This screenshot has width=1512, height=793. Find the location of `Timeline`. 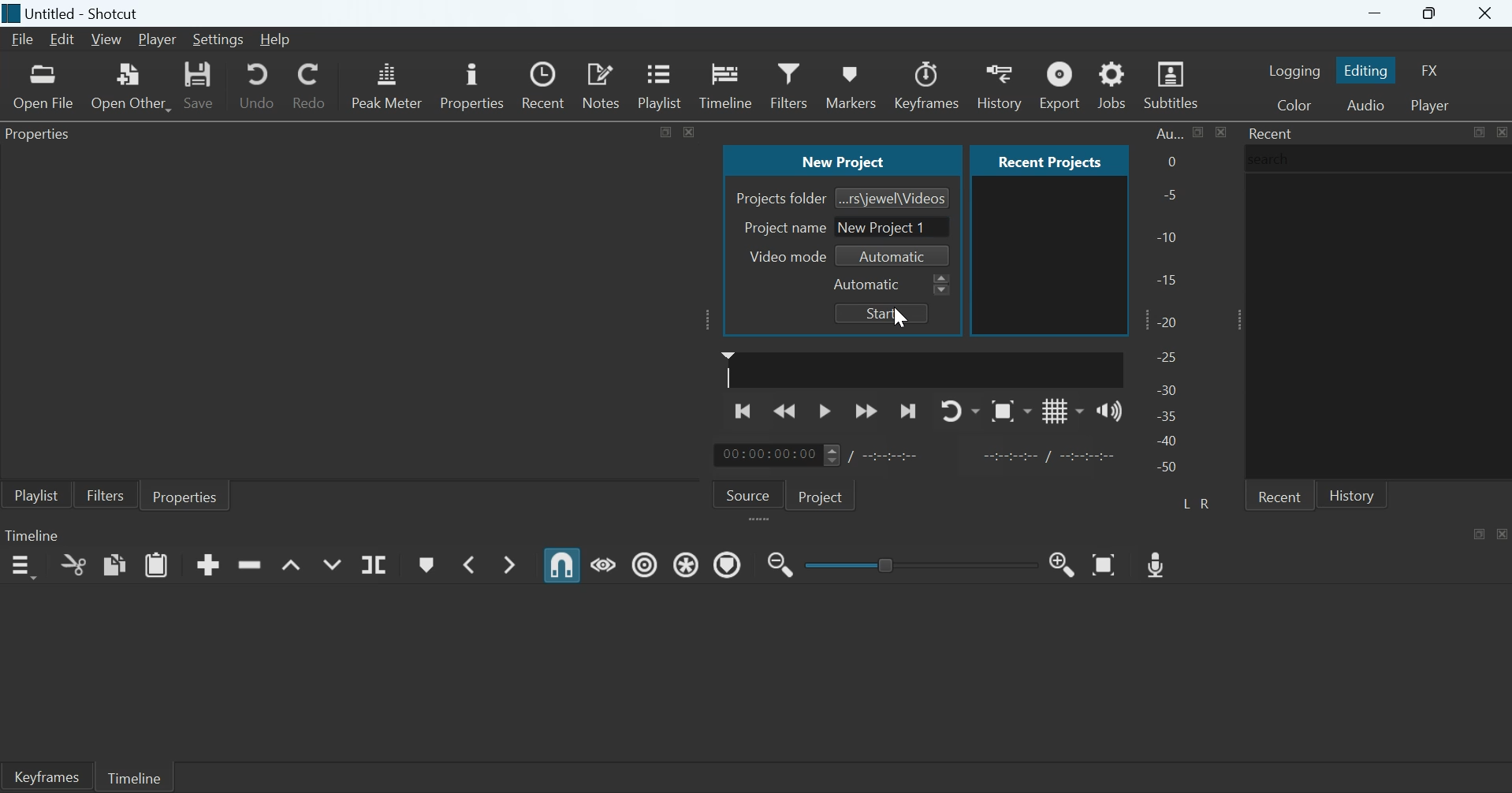

Timeline is located at coordinates (32, 534).